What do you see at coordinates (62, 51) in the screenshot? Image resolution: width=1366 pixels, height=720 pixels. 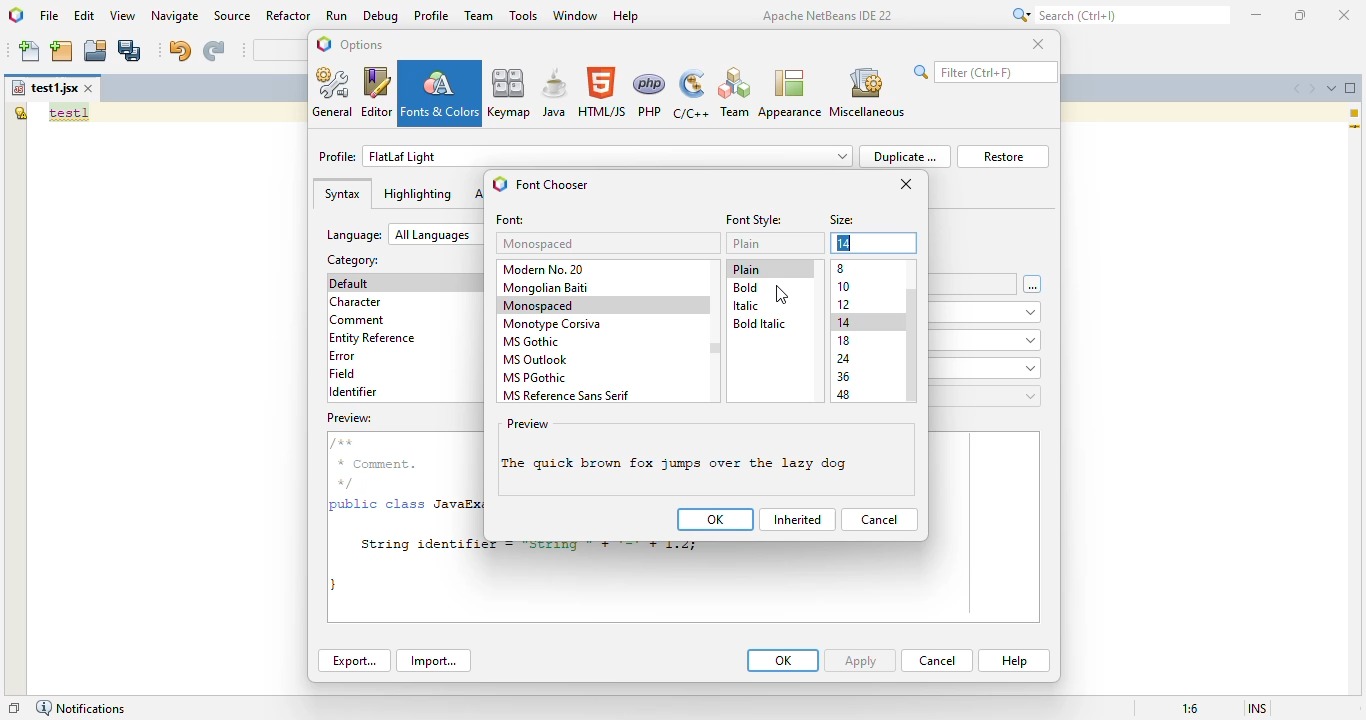 I see `new project` at bounding box center [62, 51].